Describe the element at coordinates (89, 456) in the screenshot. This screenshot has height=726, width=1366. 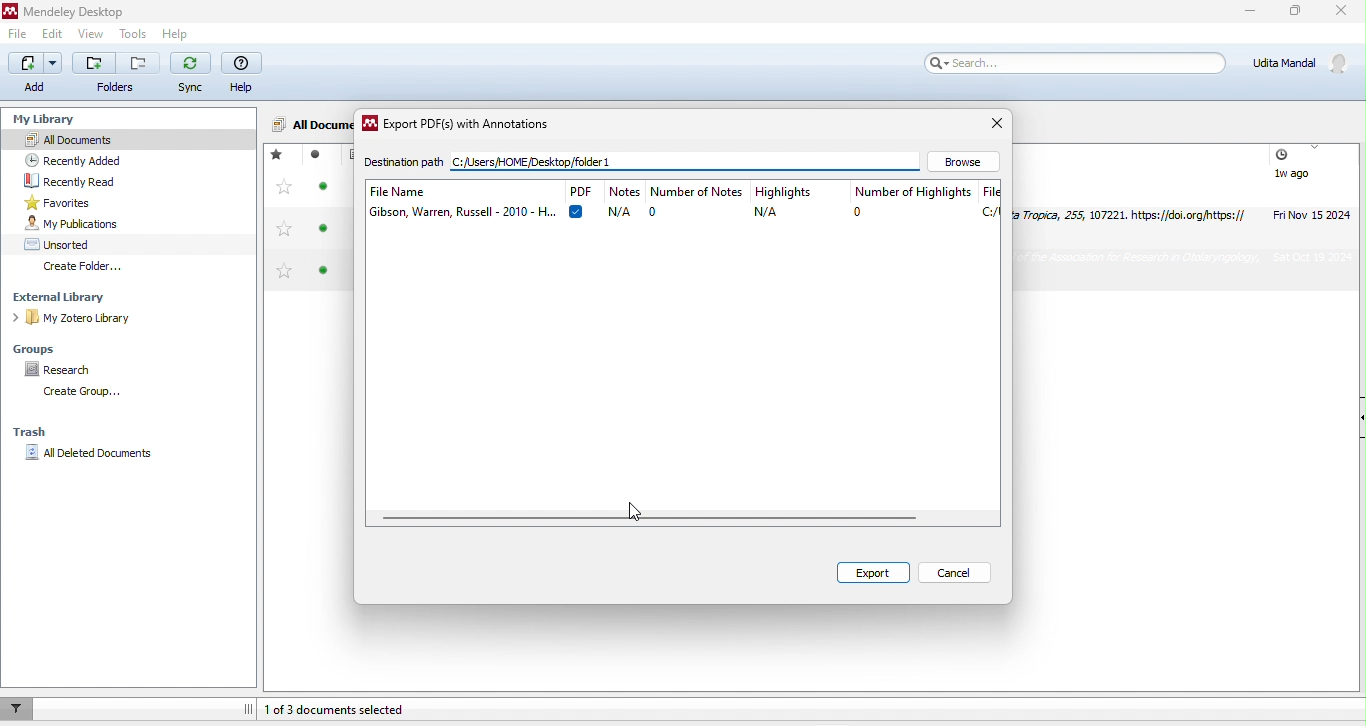
I see `all deleted documents` at that location.